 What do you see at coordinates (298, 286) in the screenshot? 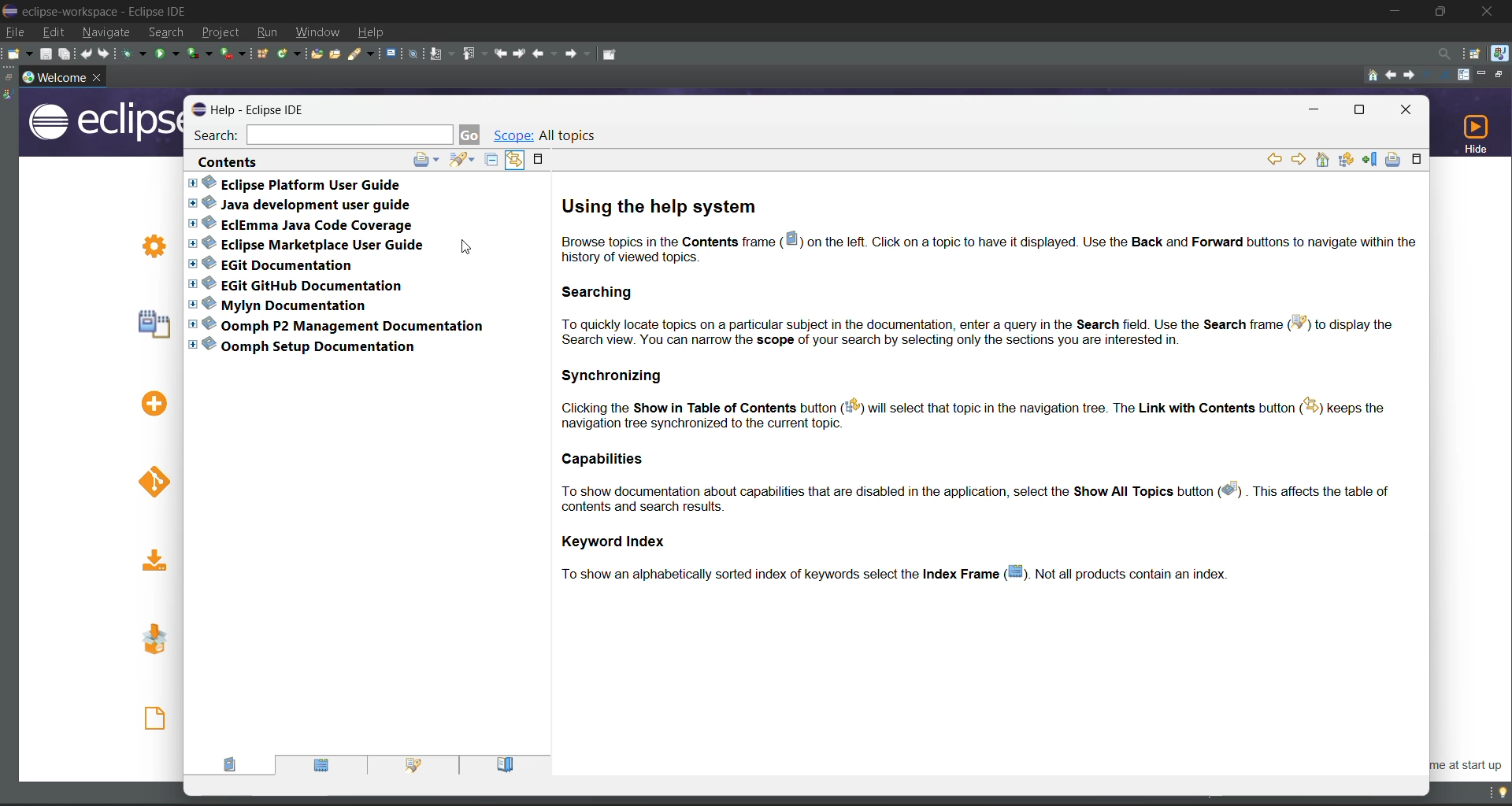
I see `EGit  GitHub documentation` at bounding box center [298, 286].